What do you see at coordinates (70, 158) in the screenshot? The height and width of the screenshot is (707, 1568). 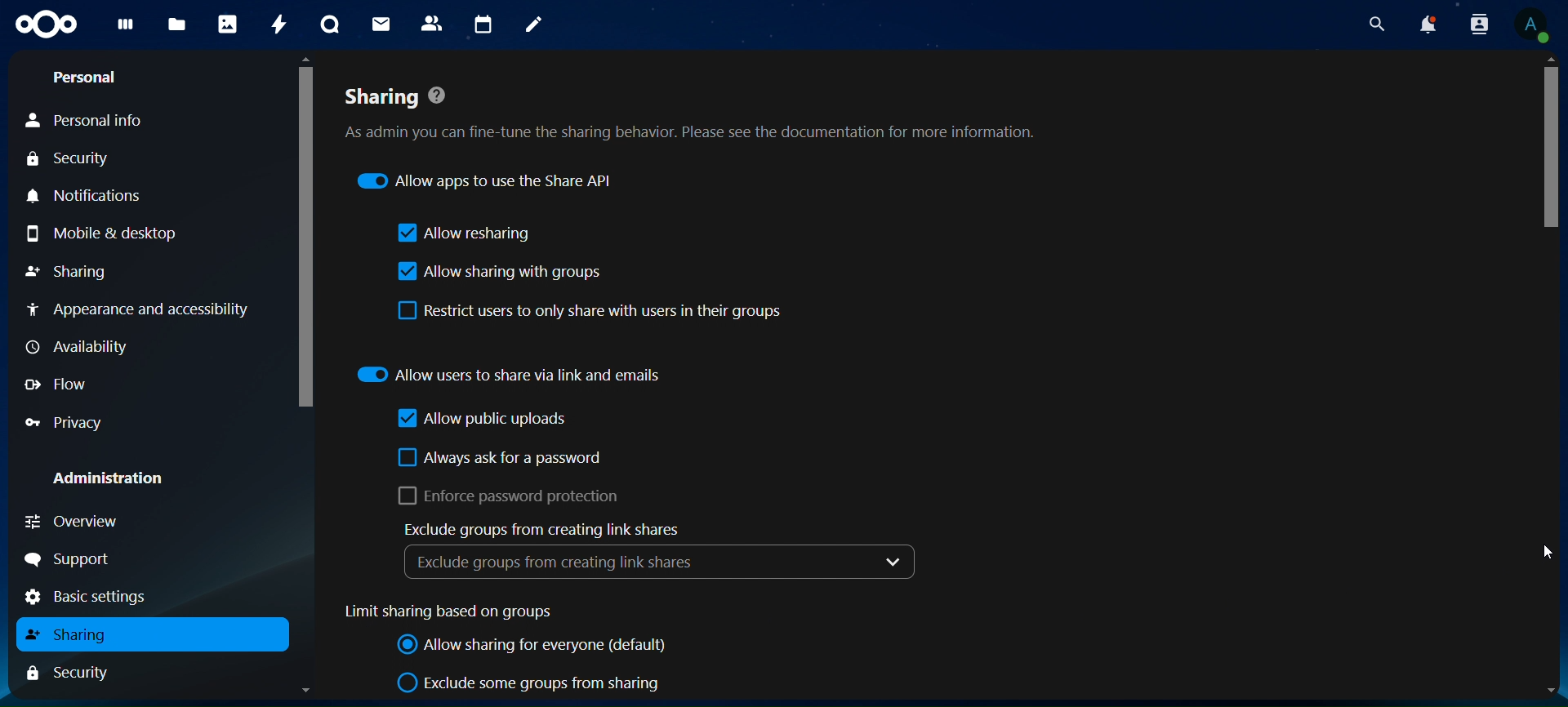 I see `security` at bounding box center [70, 158].